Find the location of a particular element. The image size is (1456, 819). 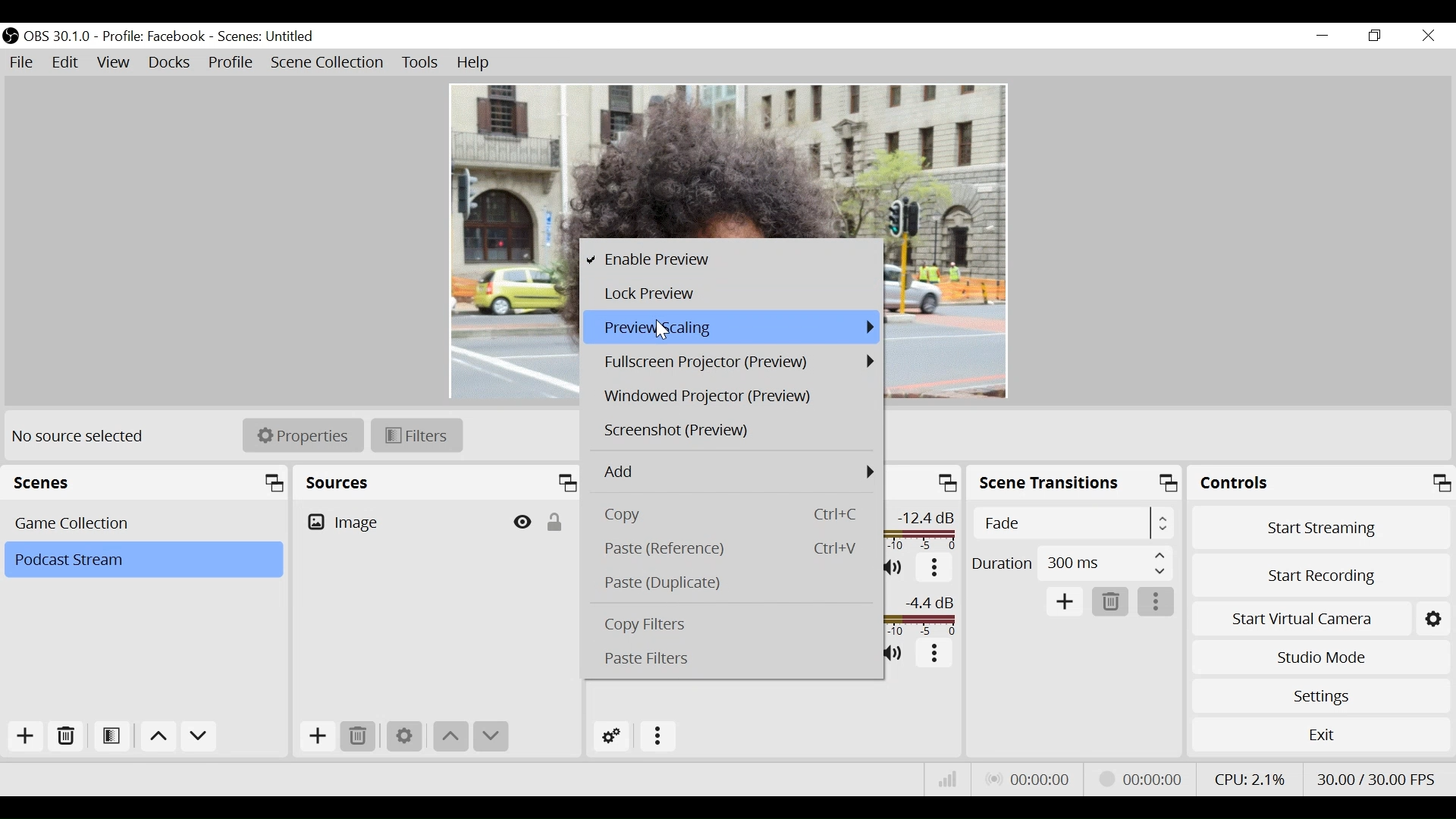

More options is located at coordinates (935, 571).